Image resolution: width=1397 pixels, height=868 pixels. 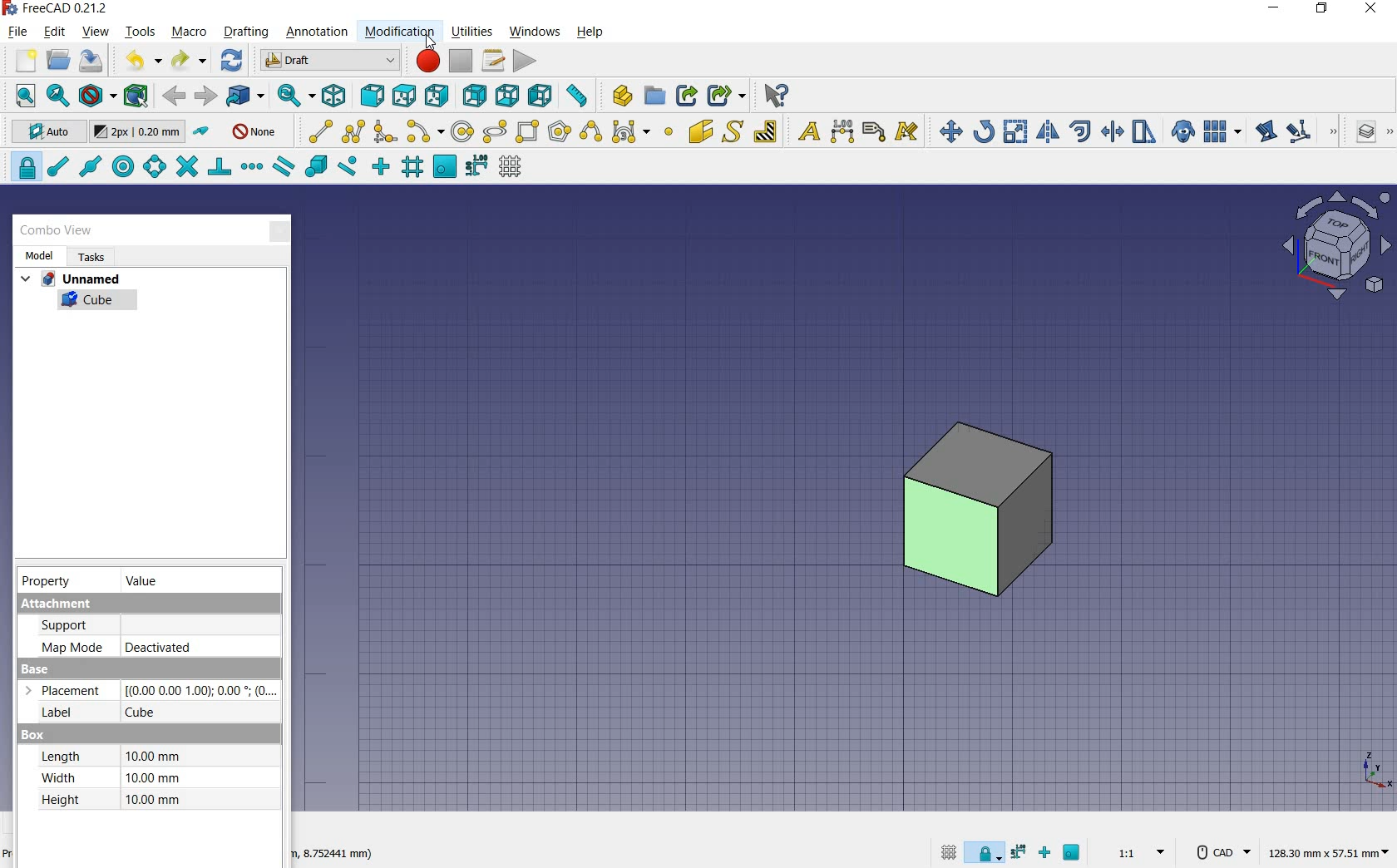 What do you see at coordinates (96, 31) in the screenshot?
I see `view` at bounding box center [96, 31].